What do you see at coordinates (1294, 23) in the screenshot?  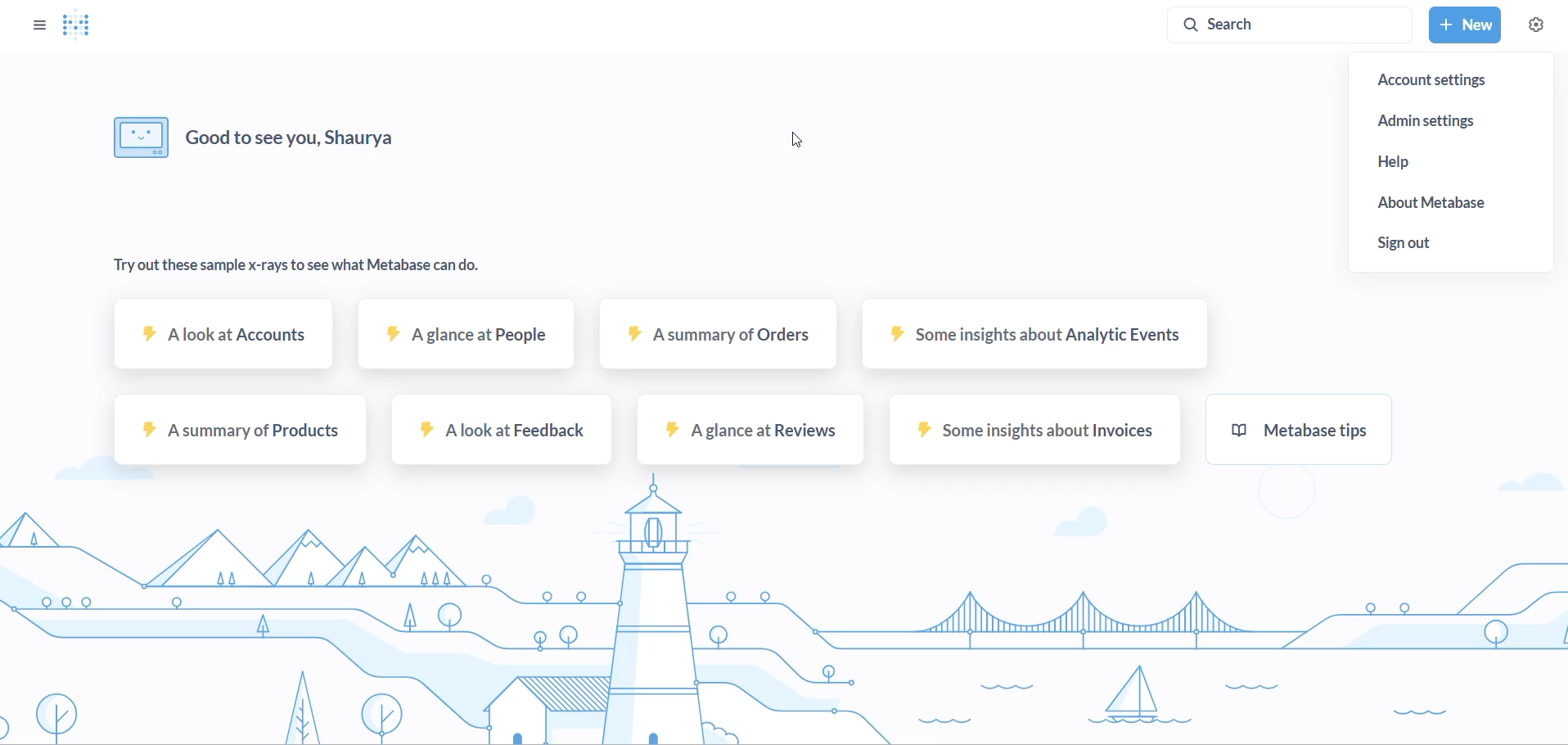 I see `SEARCH ` at bounding box center [1294, 23].